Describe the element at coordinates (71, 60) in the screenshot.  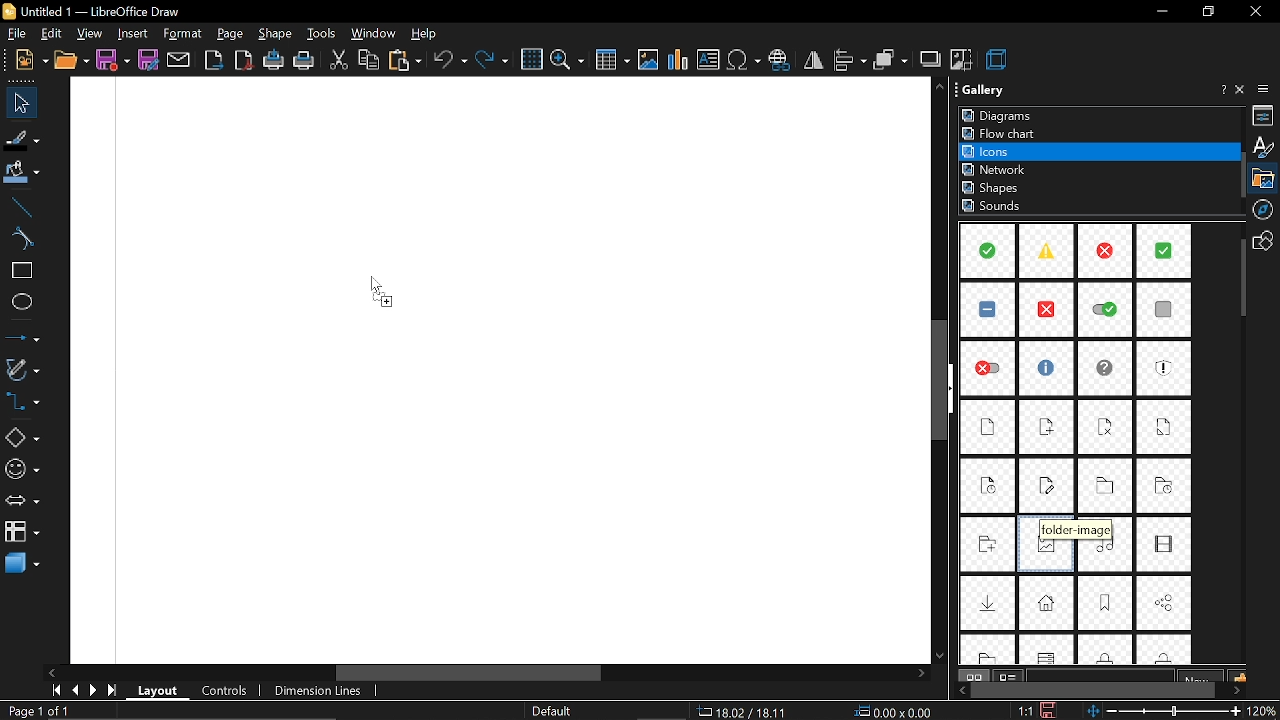
I see `open` at that location.